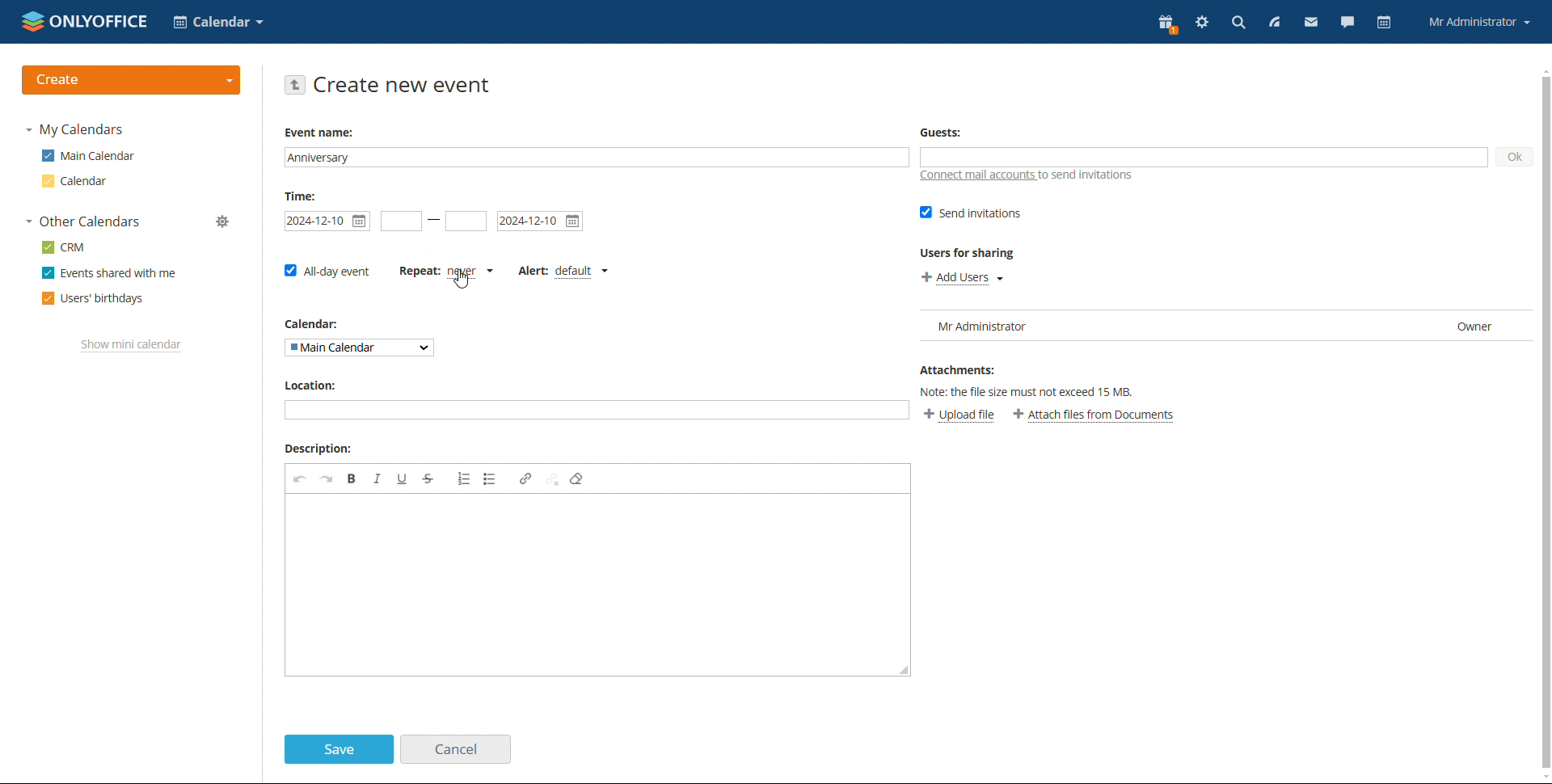  What do you see at coordinates (455, 748) in the screenshot?
I see `cancel` at bounding box center [455, 748].